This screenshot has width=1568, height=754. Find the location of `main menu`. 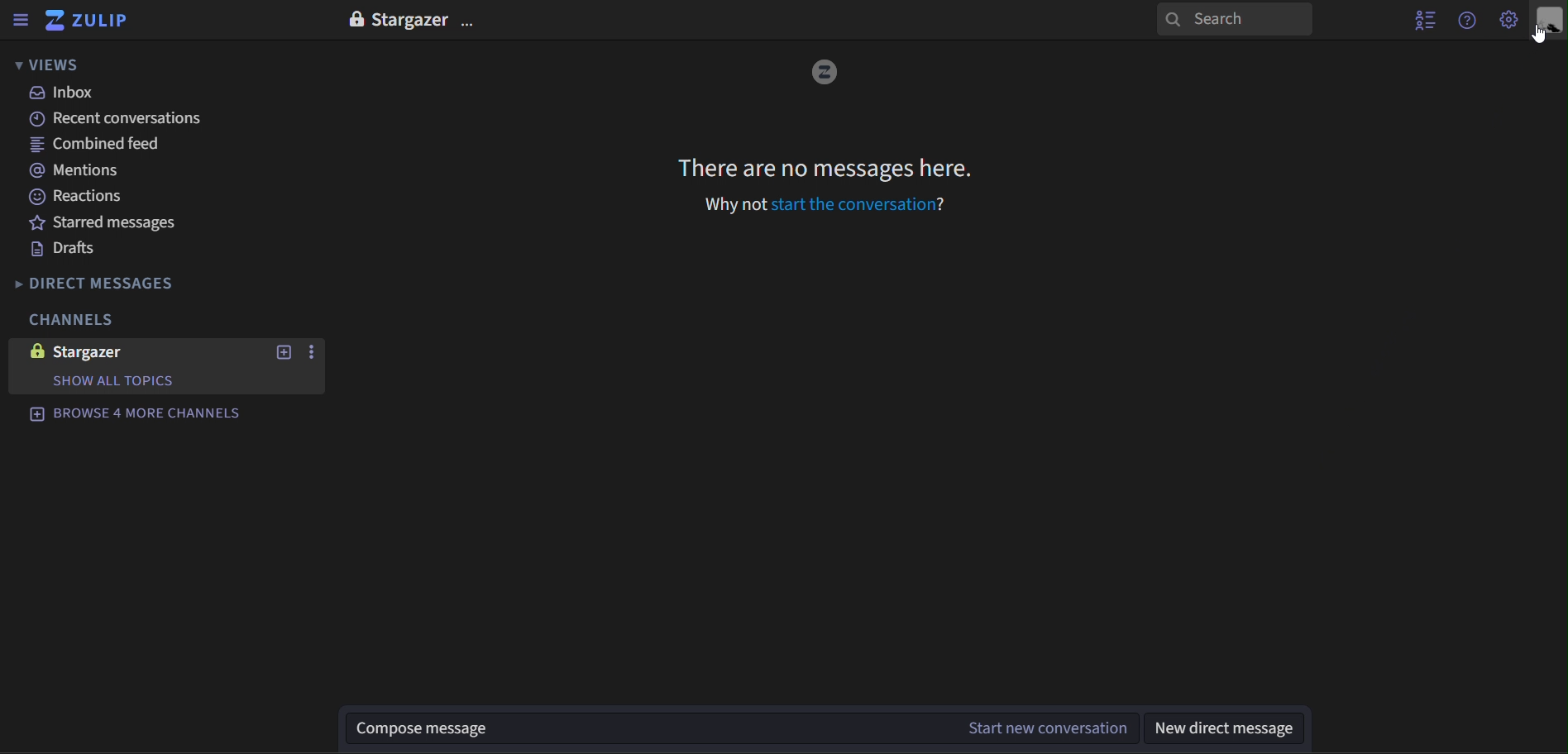

main menu is located at coordinates (1506, 21).